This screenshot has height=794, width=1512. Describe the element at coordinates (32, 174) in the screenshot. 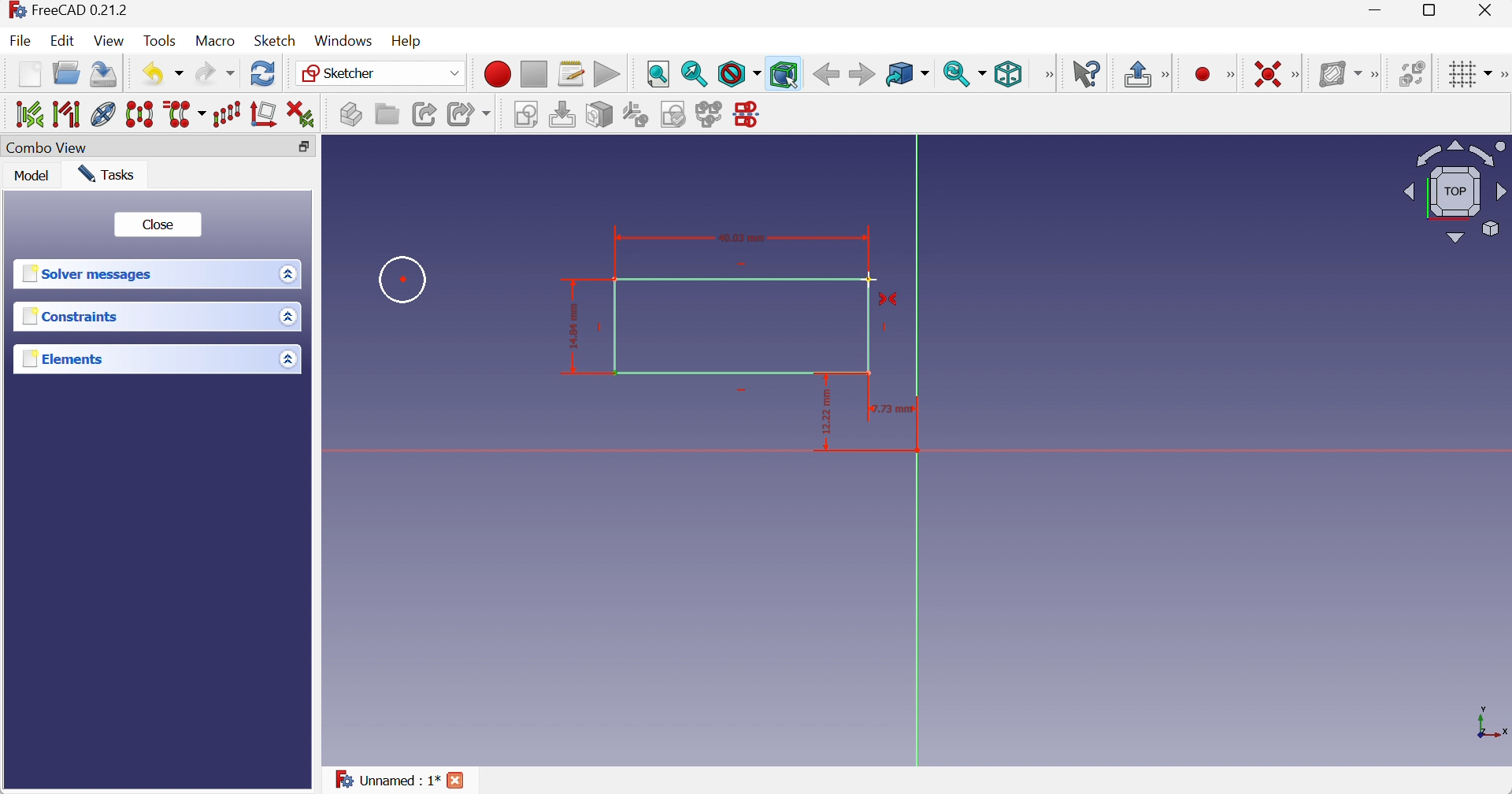

I see `Model` at that location.